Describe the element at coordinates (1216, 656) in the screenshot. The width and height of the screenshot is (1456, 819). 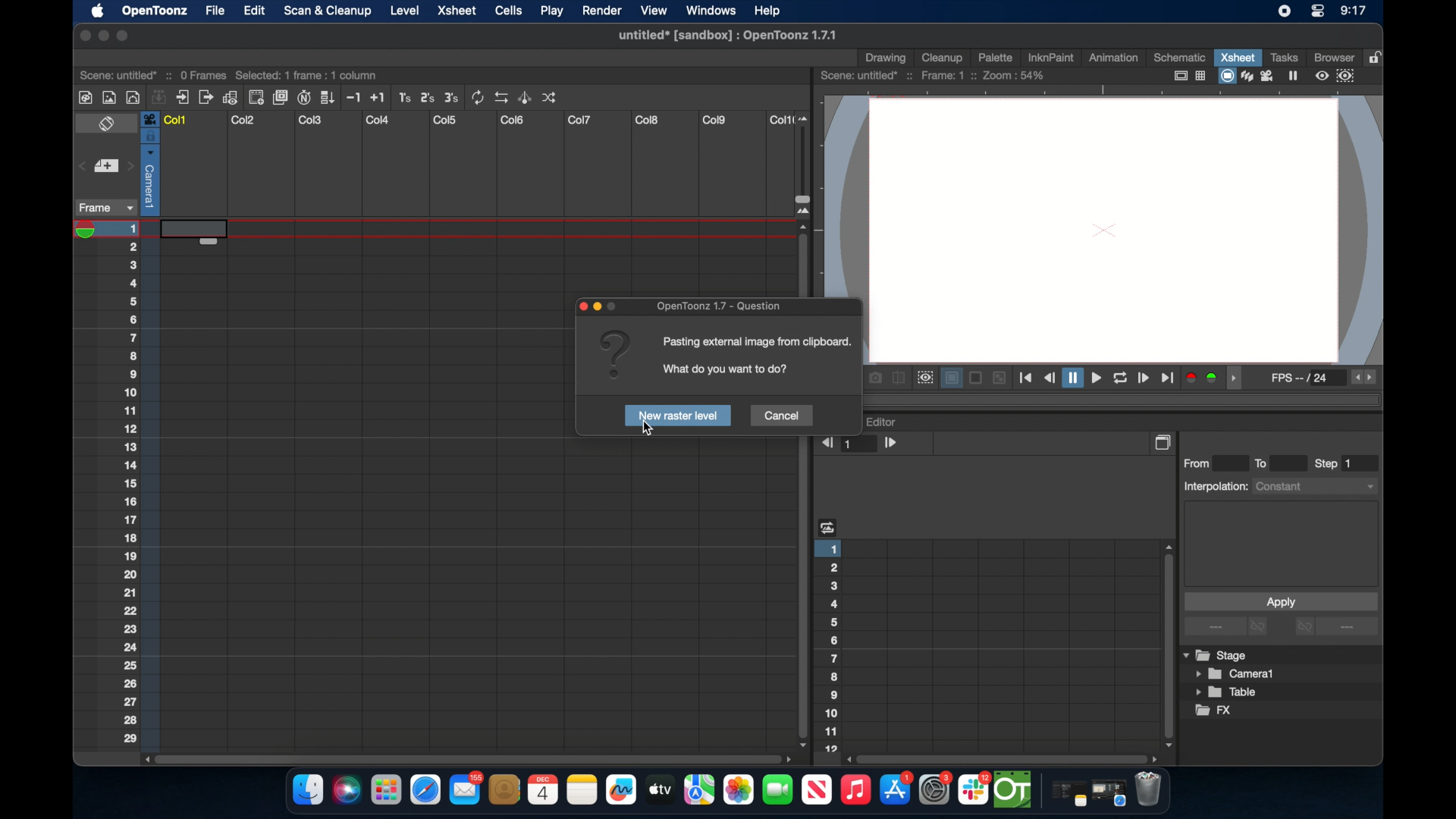
I see `stage` at that location.